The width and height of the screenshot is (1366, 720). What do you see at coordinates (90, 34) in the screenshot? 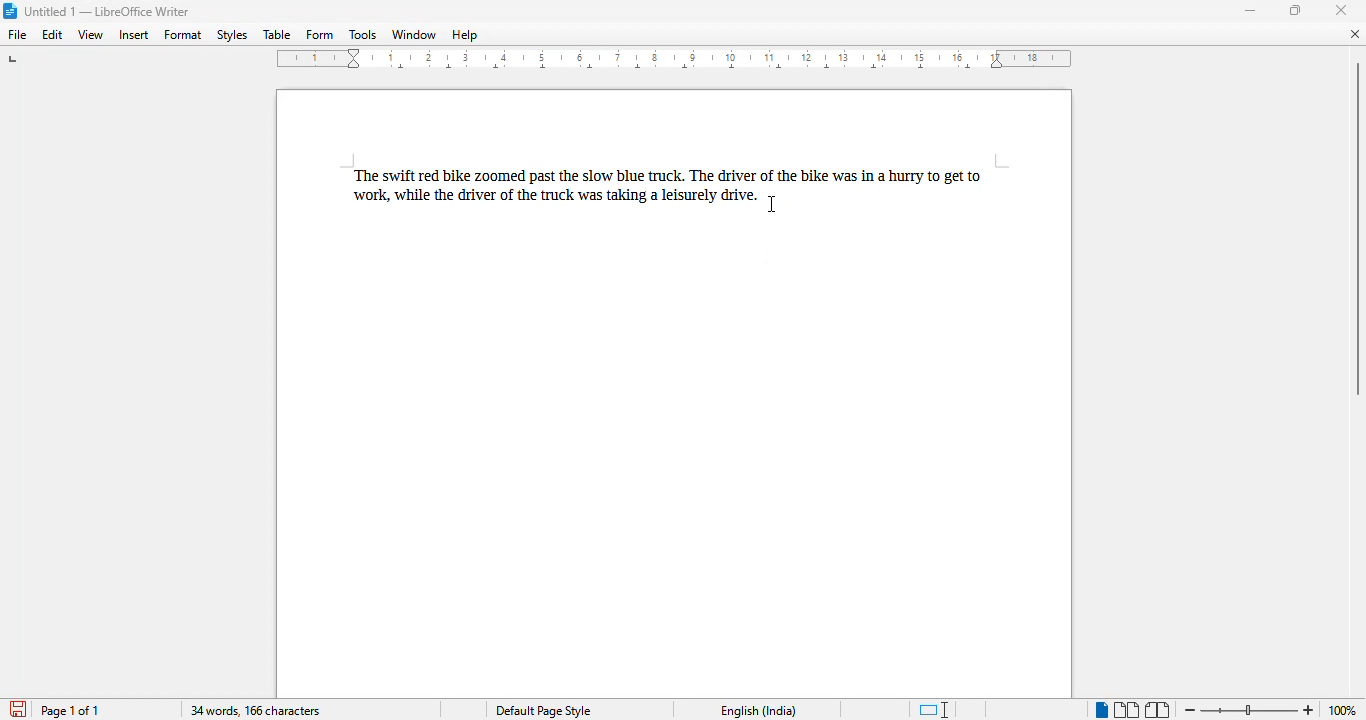
I see `view` at bounding box center [90, 34].